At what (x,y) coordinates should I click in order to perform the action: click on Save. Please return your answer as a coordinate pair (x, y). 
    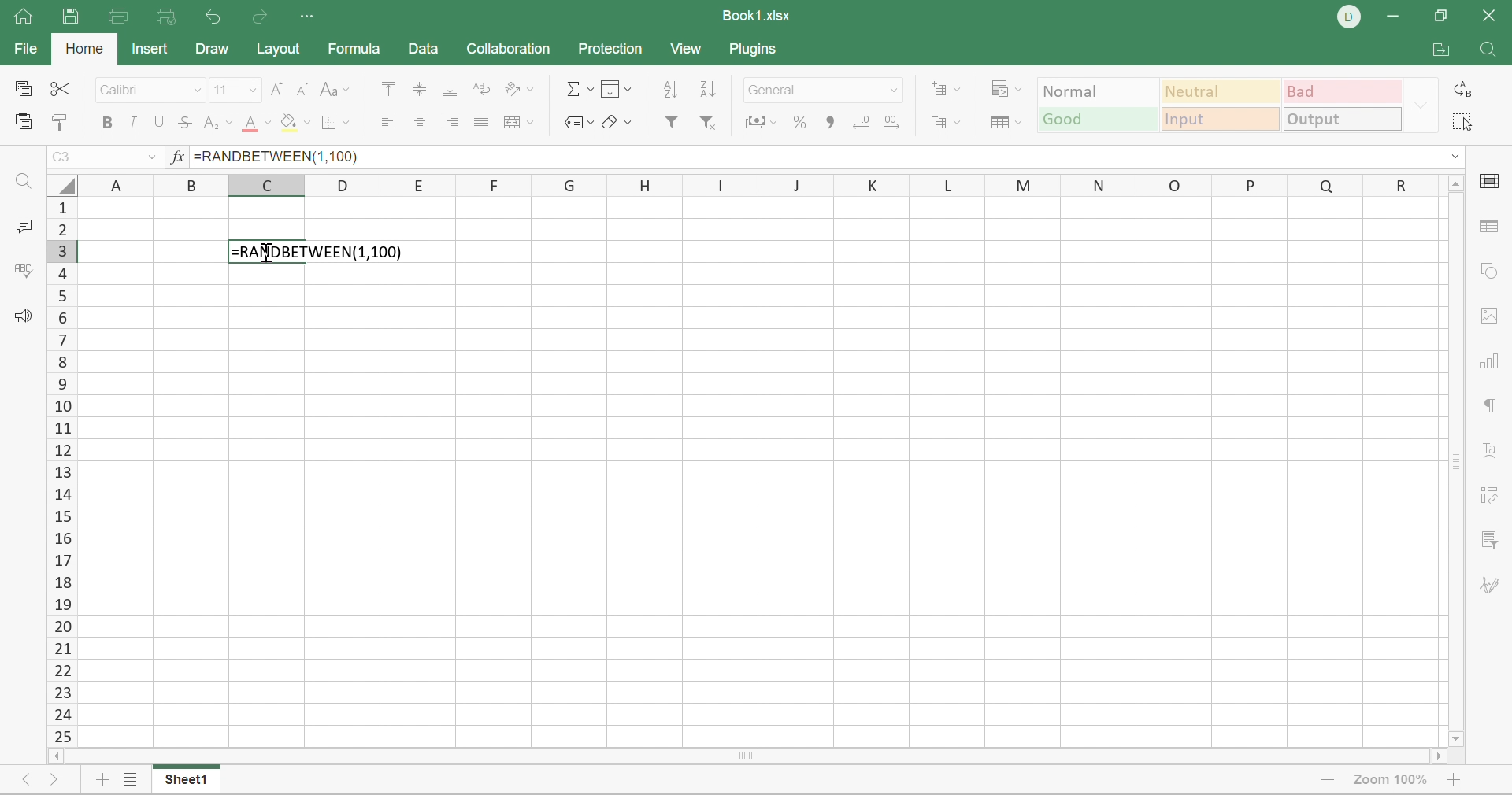
    Looking at the image, I should click on (73, 17).